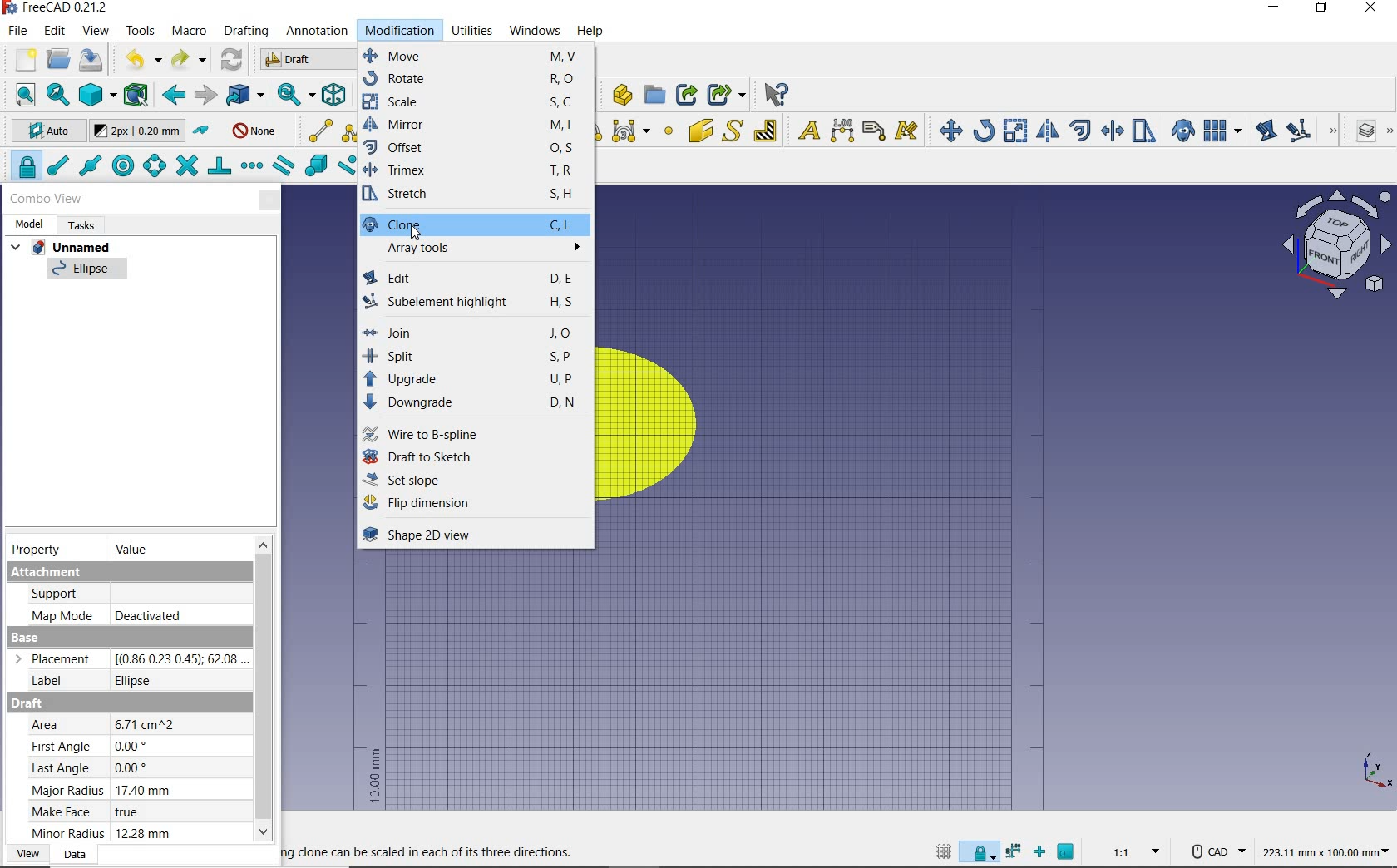  I want to click on refresh, so click(232, 62).